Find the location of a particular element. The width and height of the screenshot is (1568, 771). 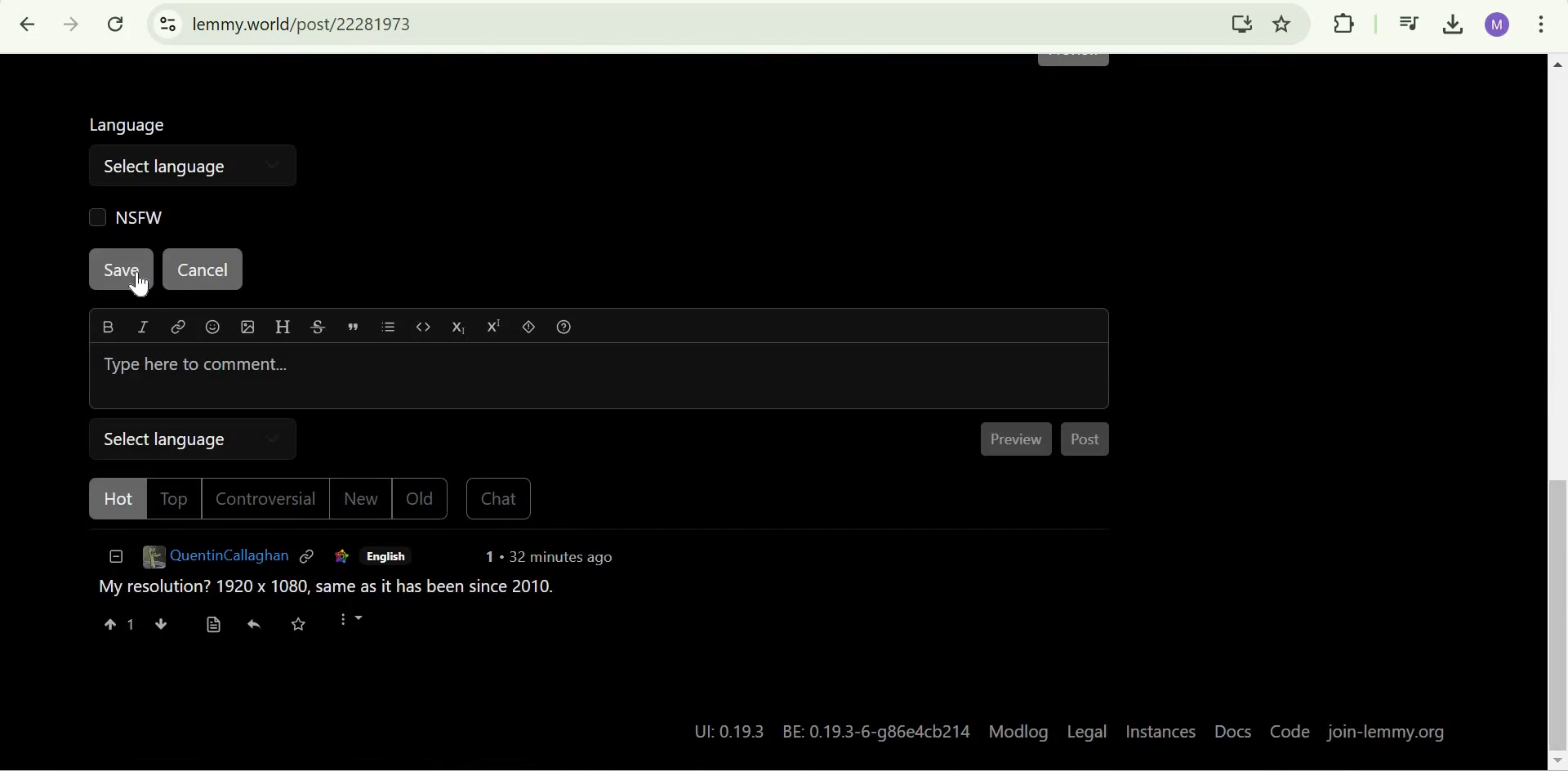

Top is located at coordinates (175, 498).